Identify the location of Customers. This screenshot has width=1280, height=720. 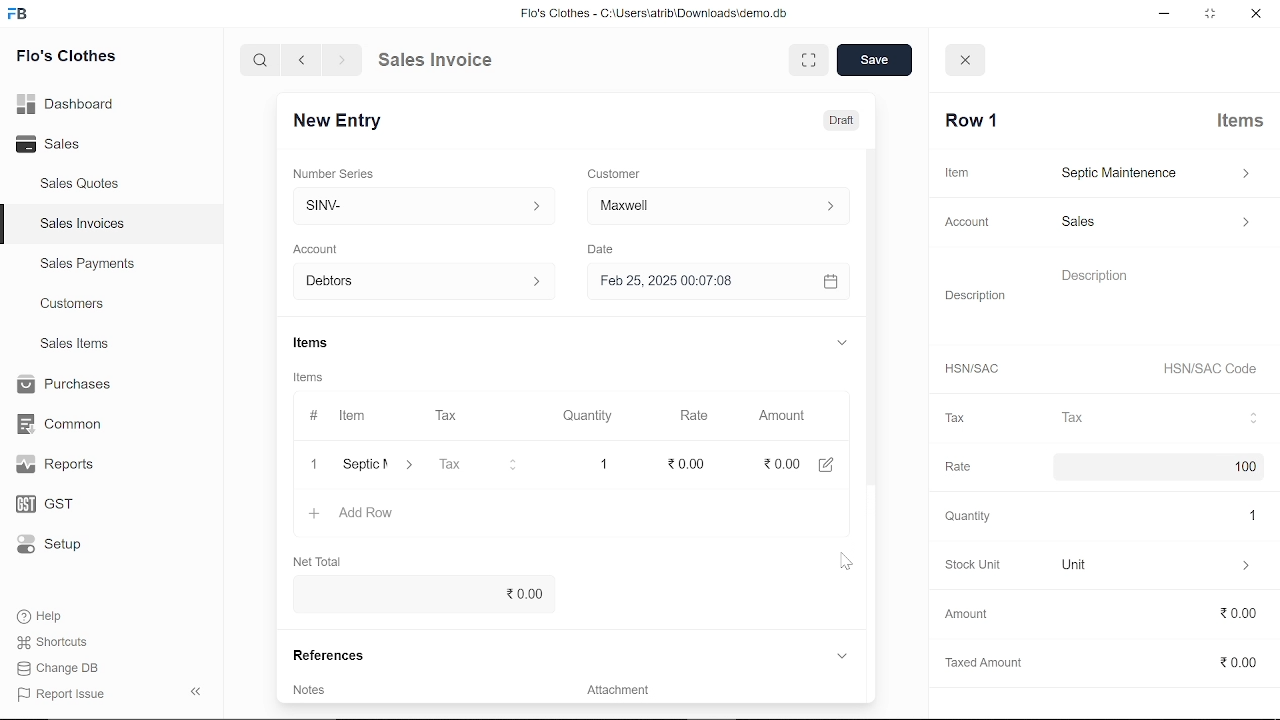
(74, 303).